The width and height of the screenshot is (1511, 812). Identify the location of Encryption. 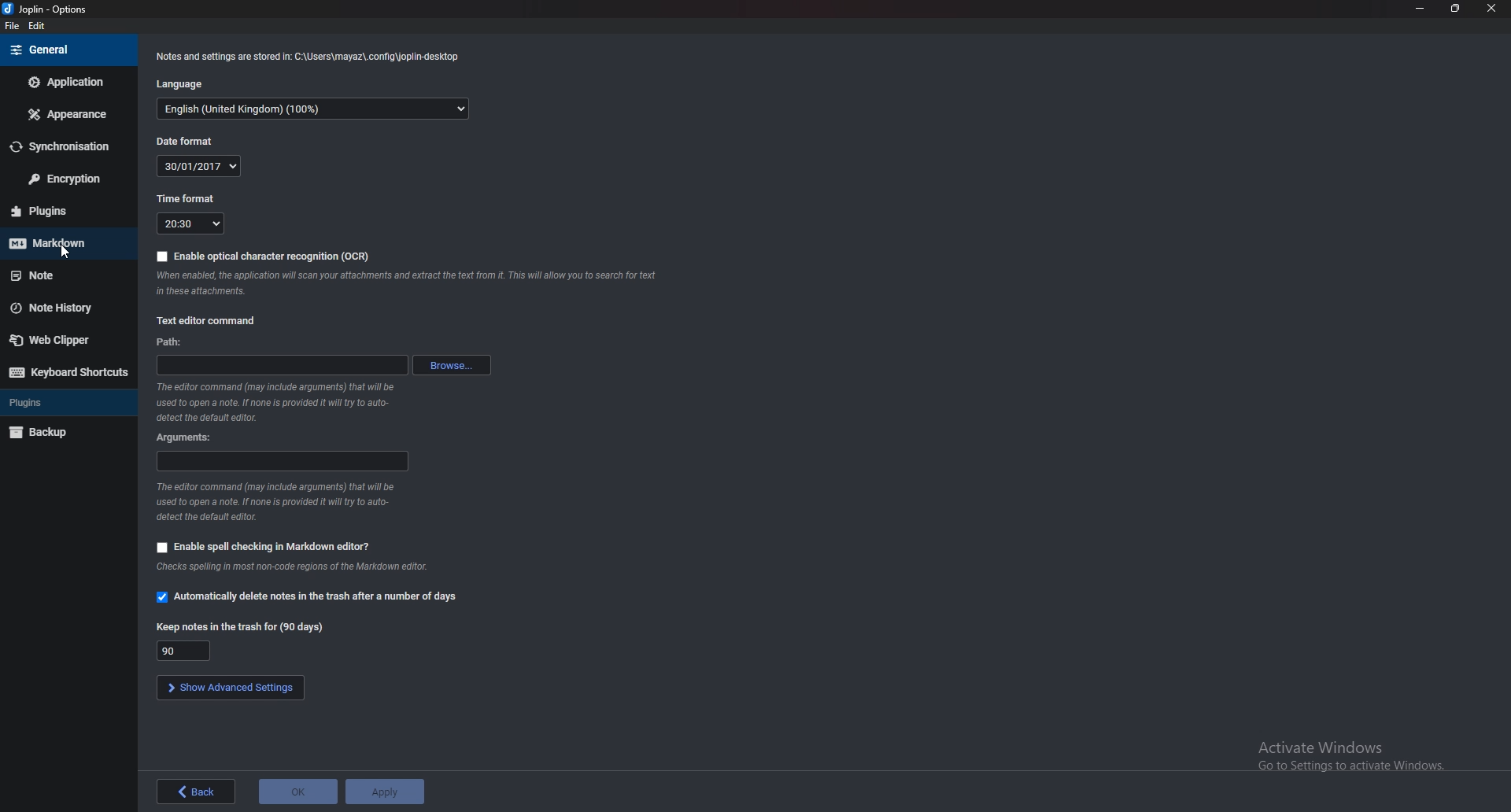
(69, 179).